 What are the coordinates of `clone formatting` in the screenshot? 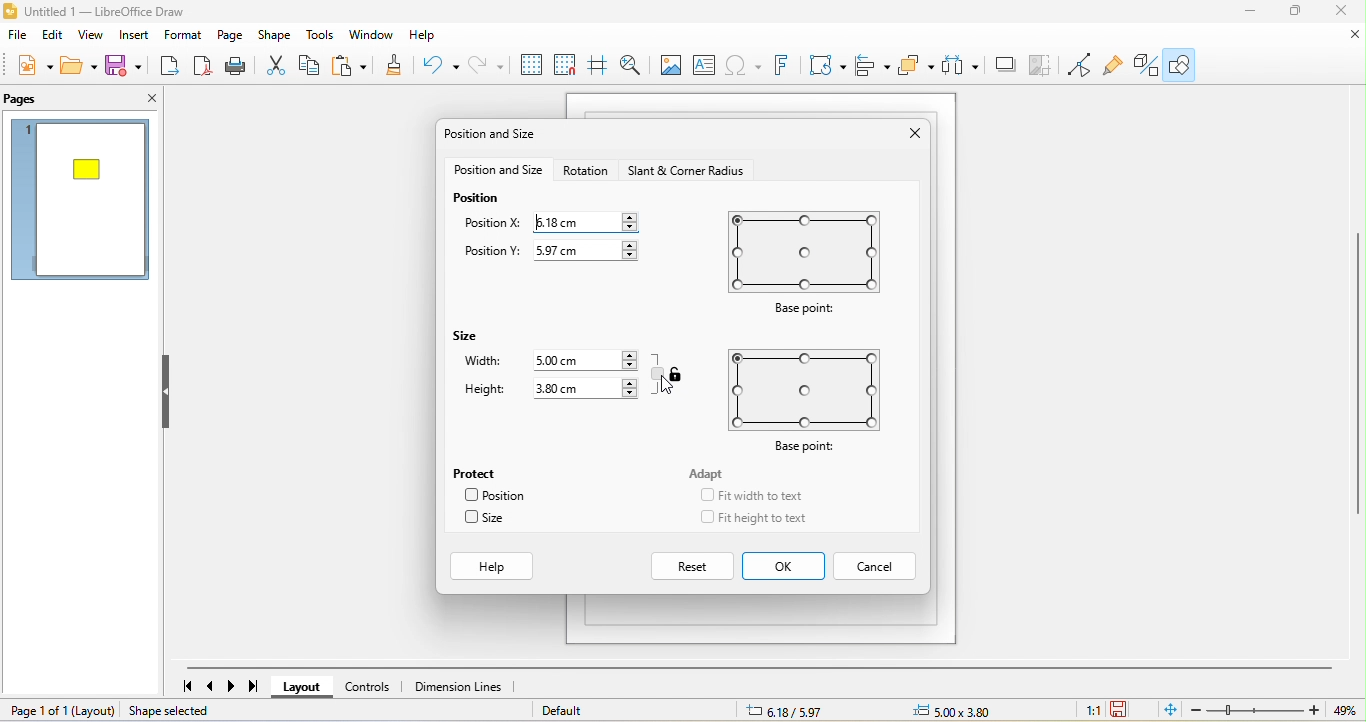 It's located at (393, 68).